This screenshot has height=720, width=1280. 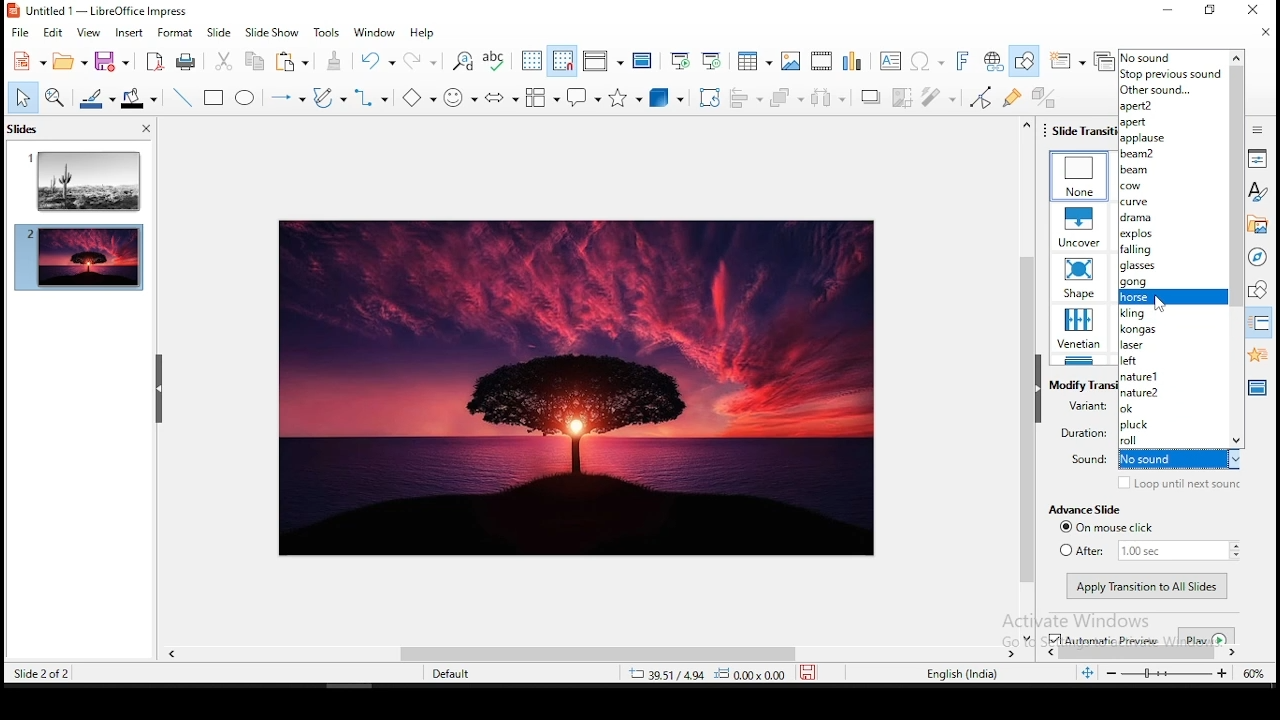 What do you see at coordinates (1174, 140) in the screenshot?
I see `applause` at bounding box center [1174, 140].